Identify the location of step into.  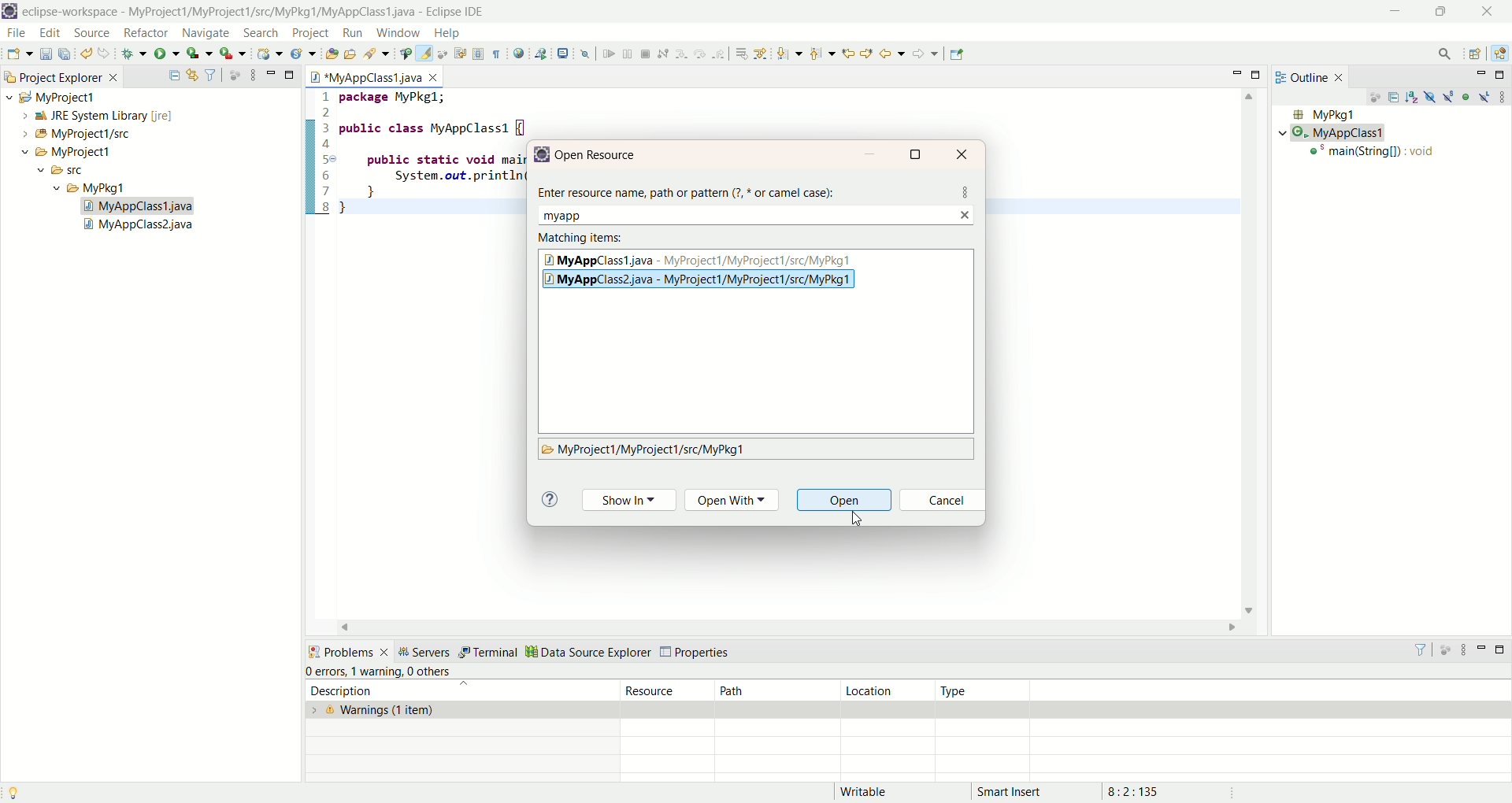
(681, 55).